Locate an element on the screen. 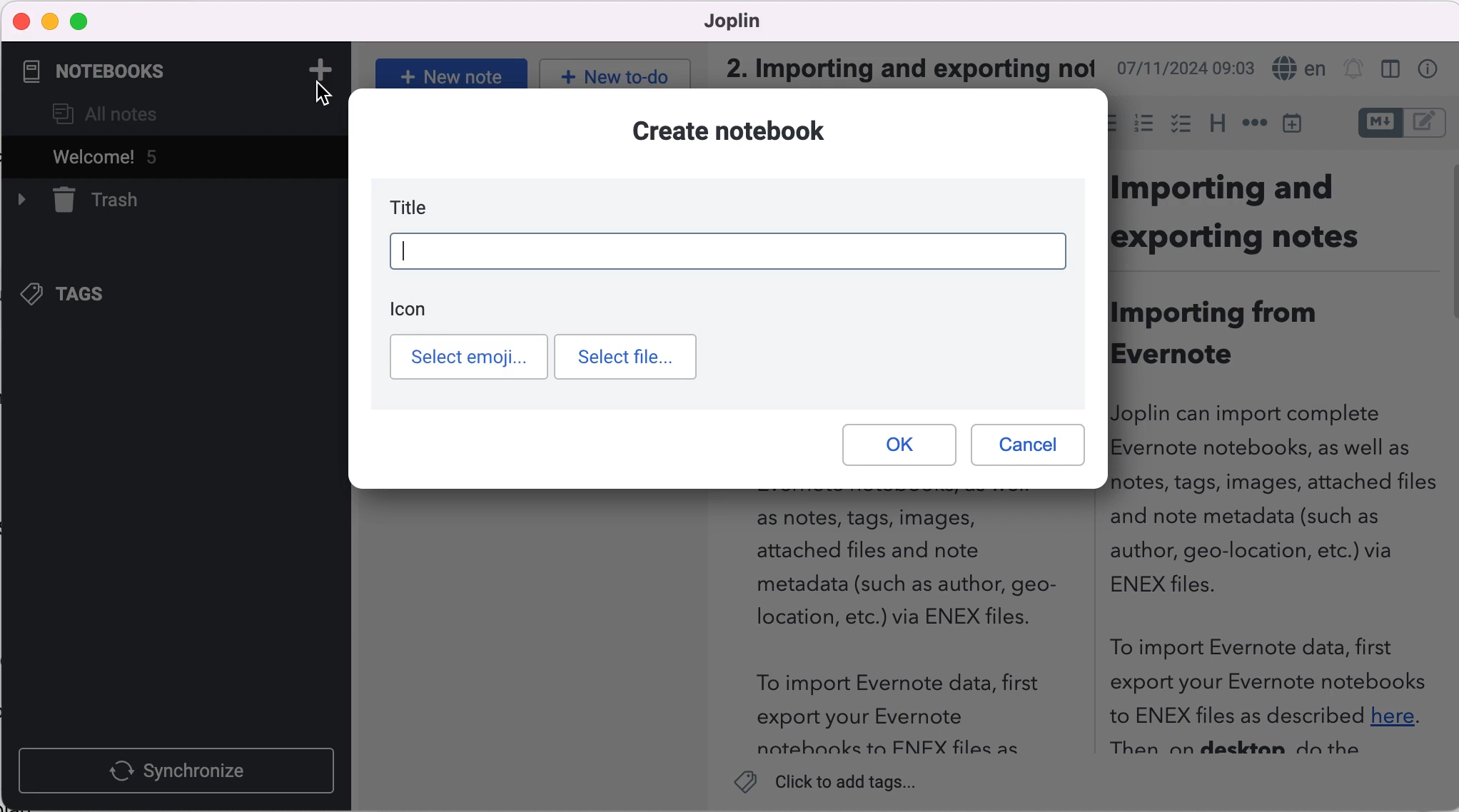 The height and width of the screenshot is (812, 1459). as notes, tags, images,attached files and notemetadata (such as author, geo-location, etc.) via ENEX files.To import Evernote data, firstexport your Evernotenotehnnks ta FNIFX files as is located at coordinates (887, 634).